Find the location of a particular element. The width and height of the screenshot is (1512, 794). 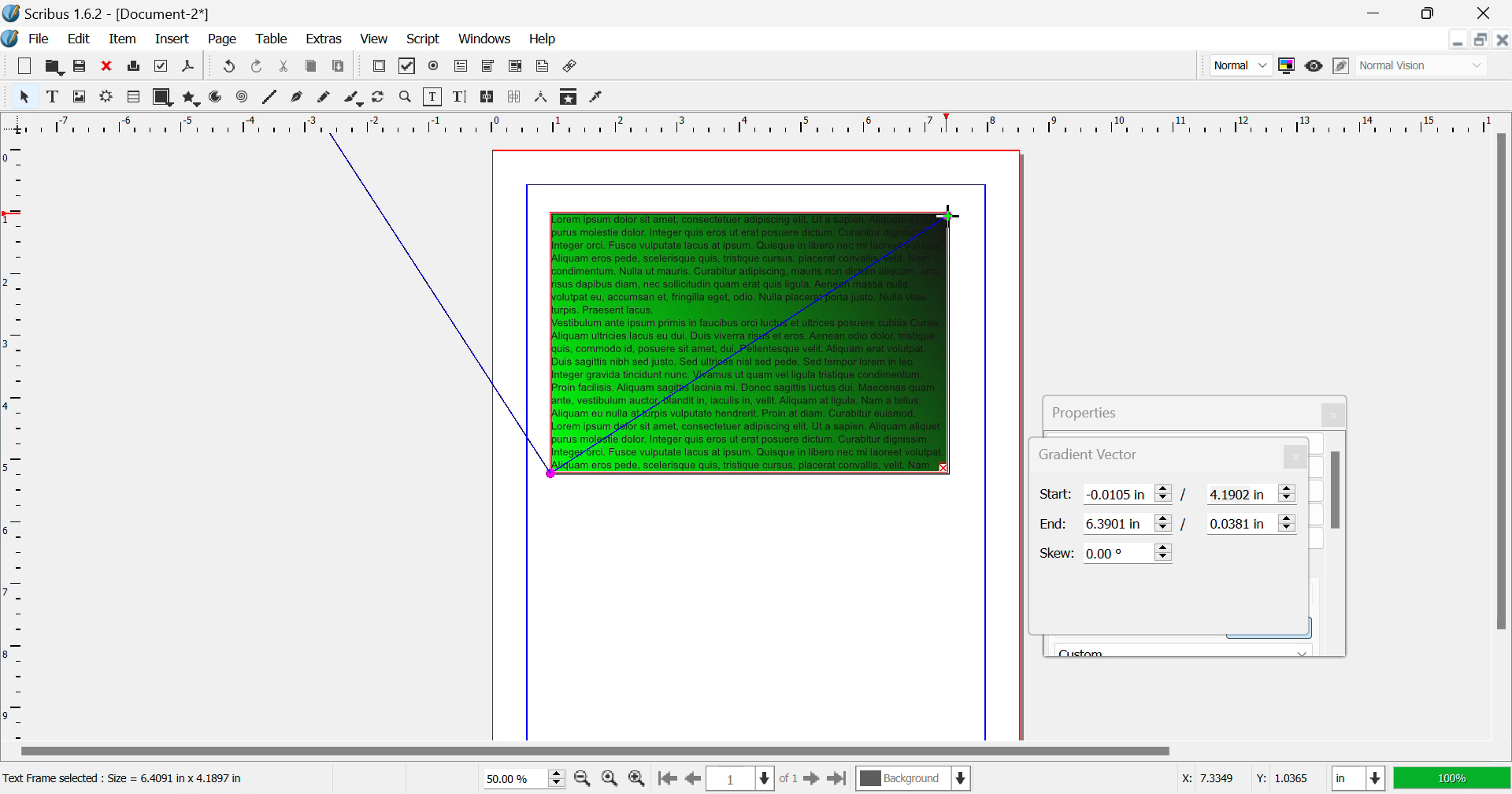

Close is located at coordinates (1503, 39).